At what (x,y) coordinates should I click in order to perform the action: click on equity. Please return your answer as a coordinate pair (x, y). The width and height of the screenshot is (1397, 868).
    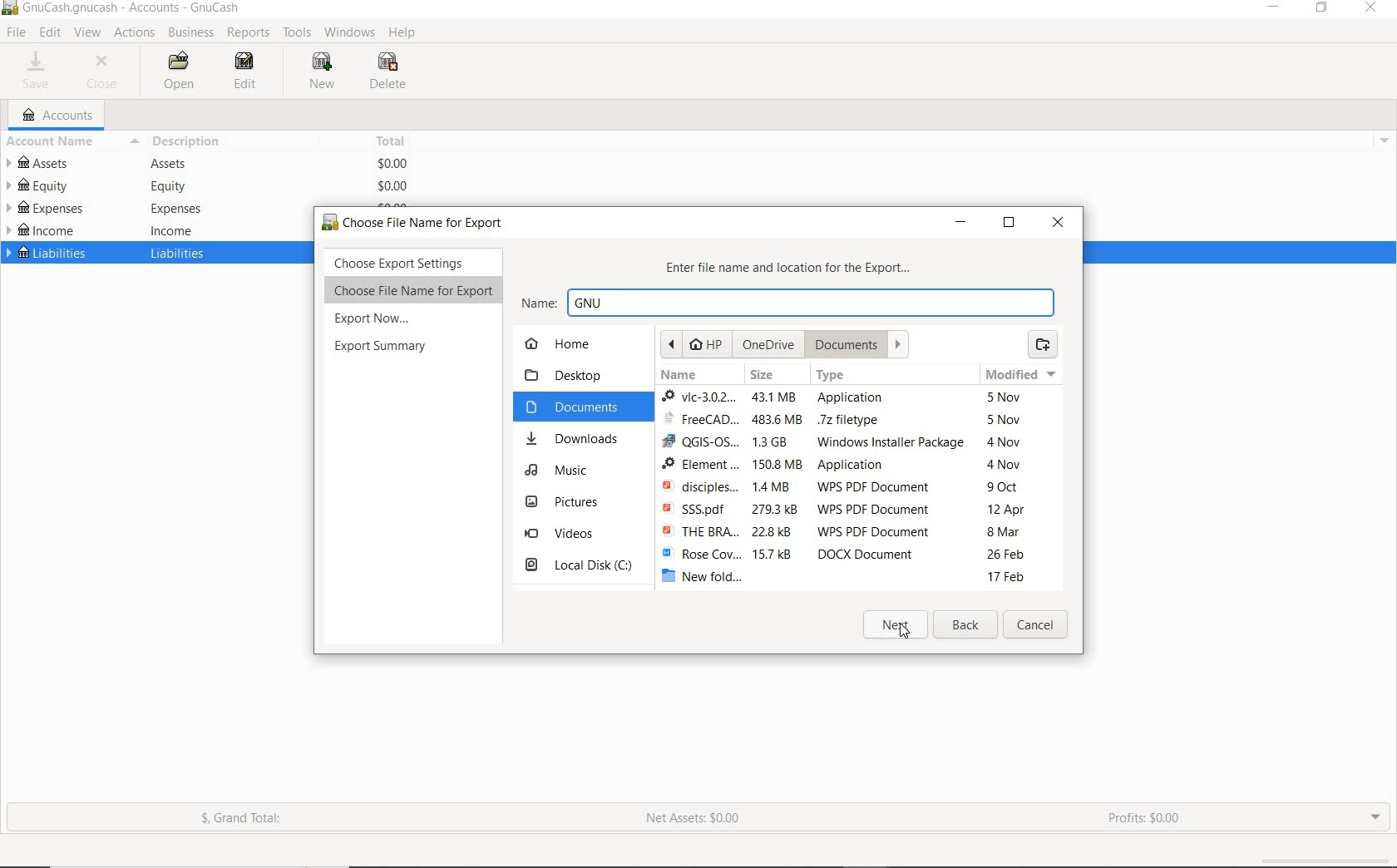
    Looking at the image, I should click on (165, 187).